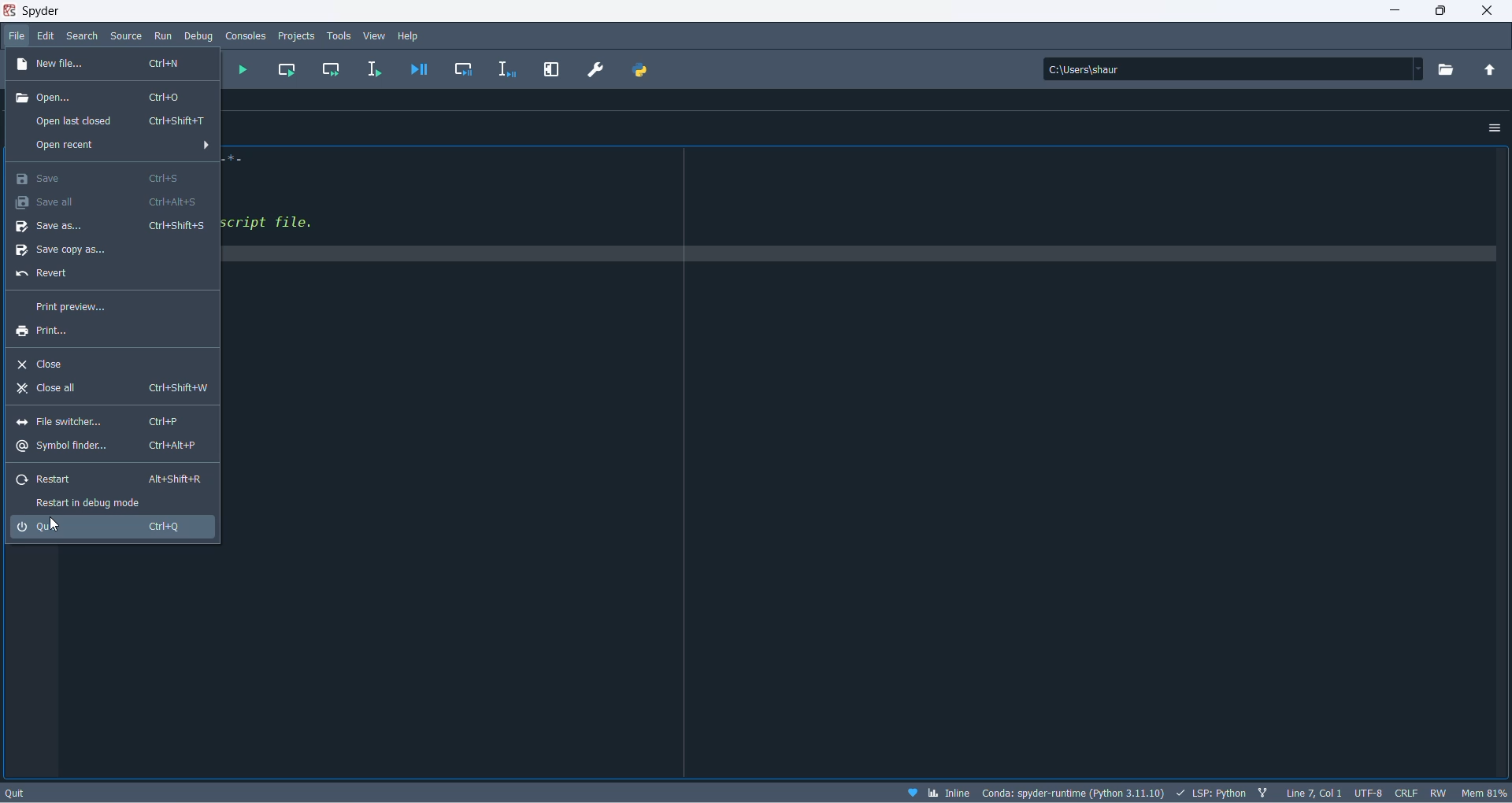 This screenshot has width=1512, height=803. What do you see at coordinates (1443, 13) in the screenshot?
I see `maximize` at bounding box center [1443, 13].